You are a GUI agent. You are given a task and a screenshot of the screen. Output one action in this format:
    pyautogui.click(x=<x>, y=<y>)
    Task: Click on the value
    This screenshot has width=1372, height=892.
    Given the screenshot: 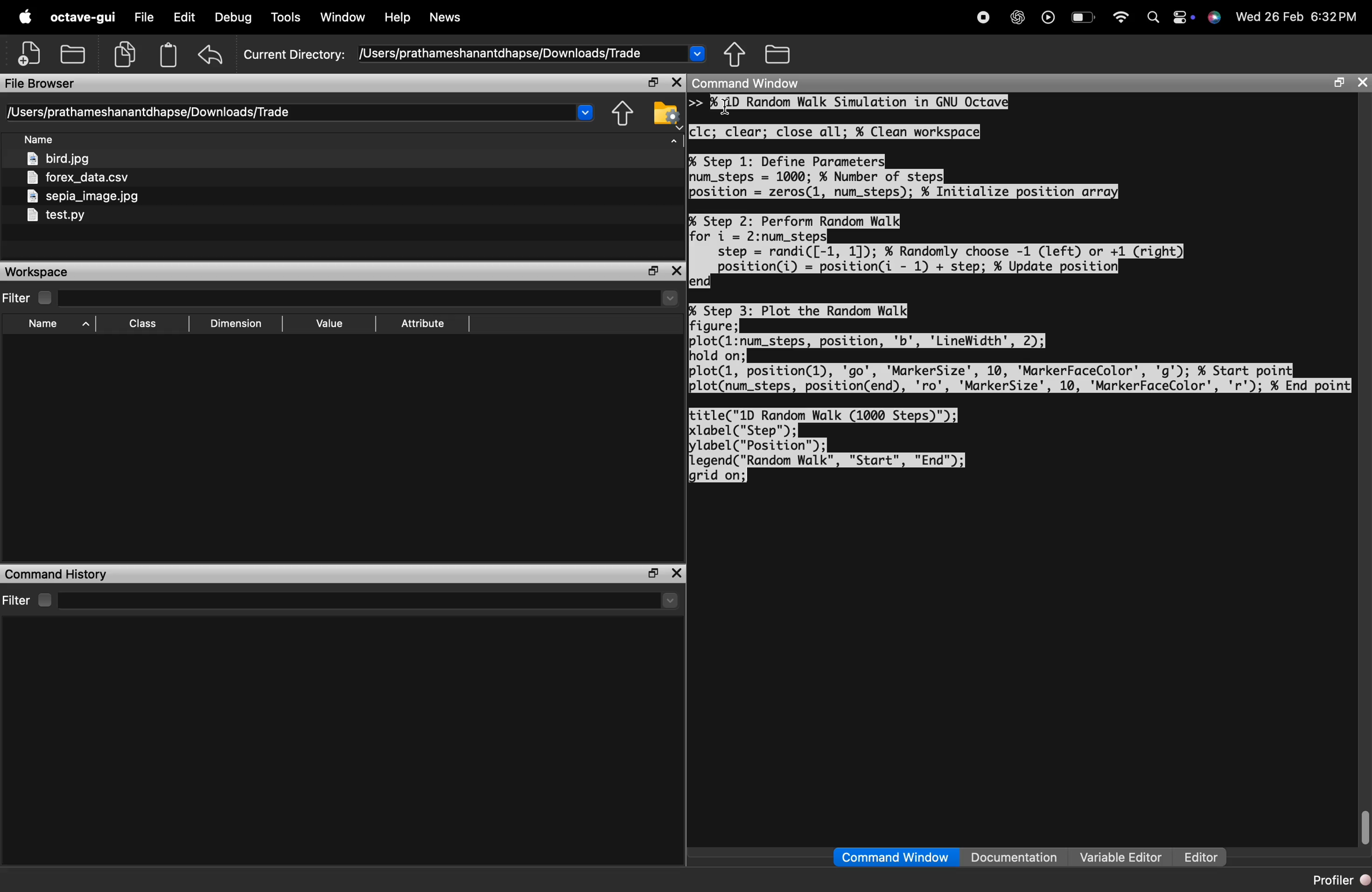 What is the action you would take?
    pyautogui.click(x=333, y=323)
    